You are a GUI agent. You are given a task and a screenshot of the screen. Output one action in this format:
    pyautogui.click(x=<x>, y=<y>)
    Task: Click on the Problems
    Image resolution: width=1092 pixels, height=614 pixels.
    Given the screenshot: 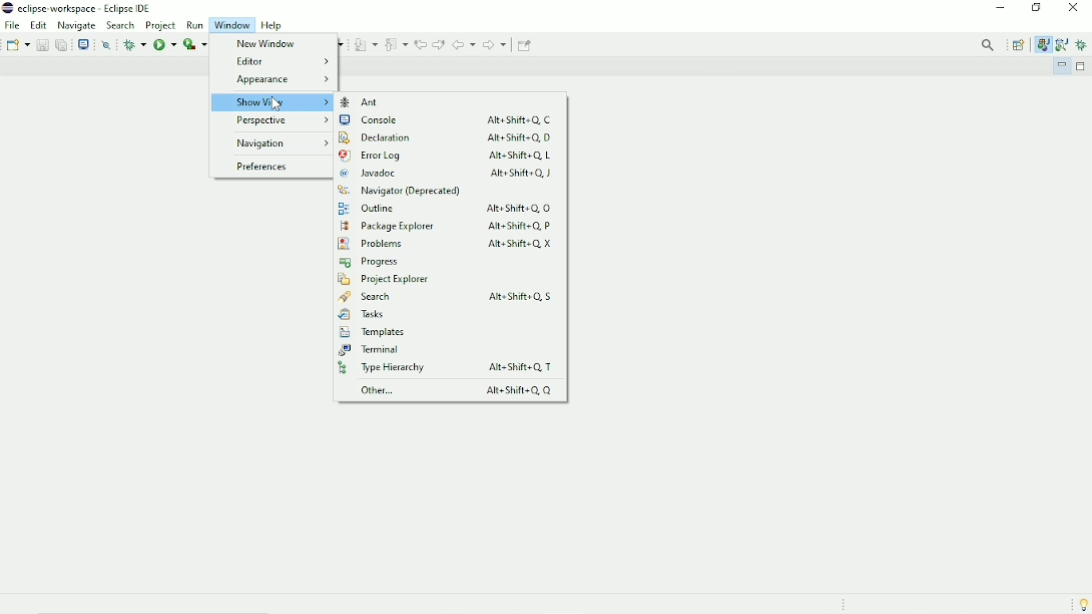 What is the action you would take?
    pyautogui.click(x=445, y=244)
    